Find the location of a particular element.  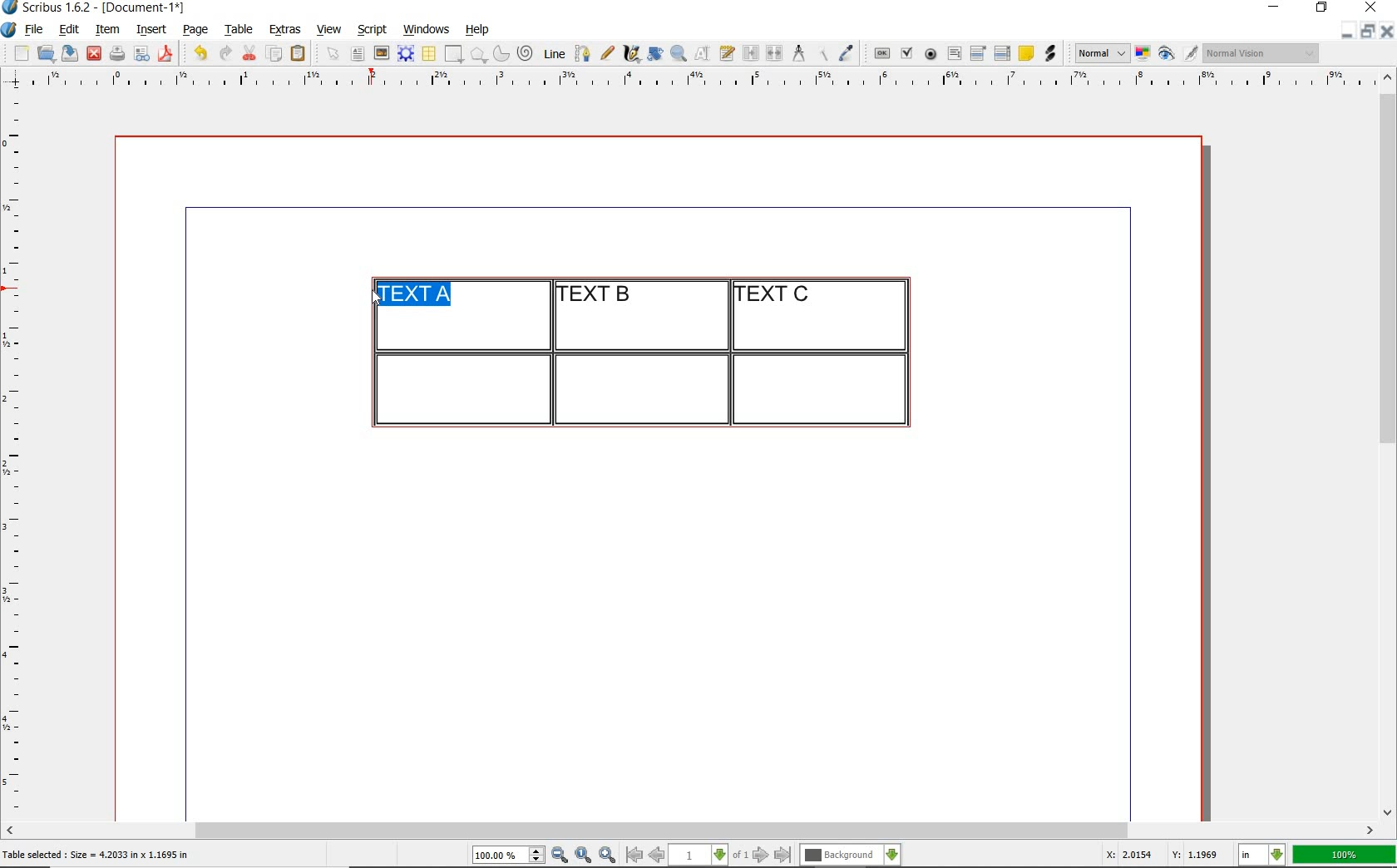

zoom to is located at coordinates (584, 856).